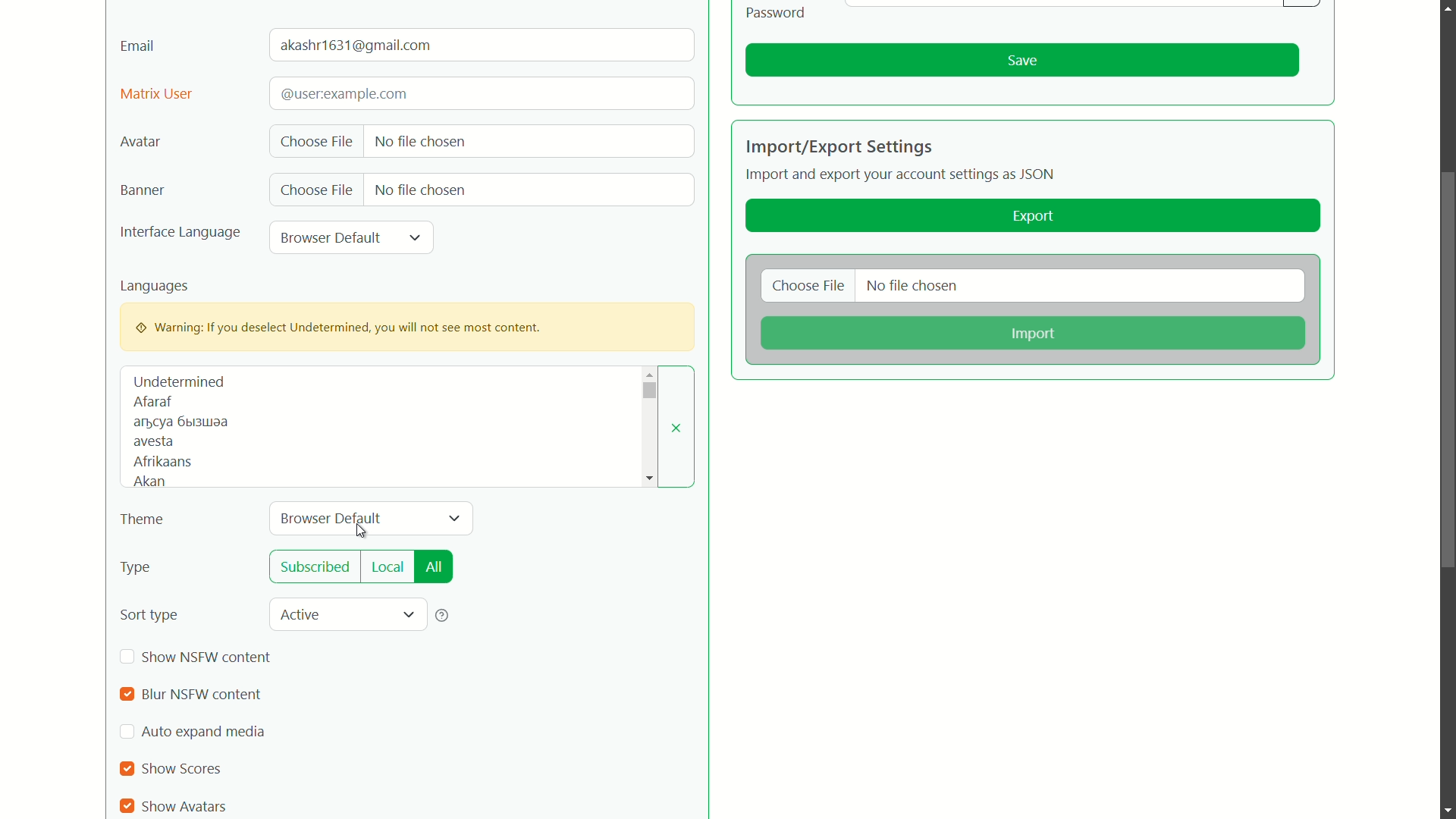  Describe the element at coordinates (129, 769) in the screenshot. I see `checkbox` at that location.